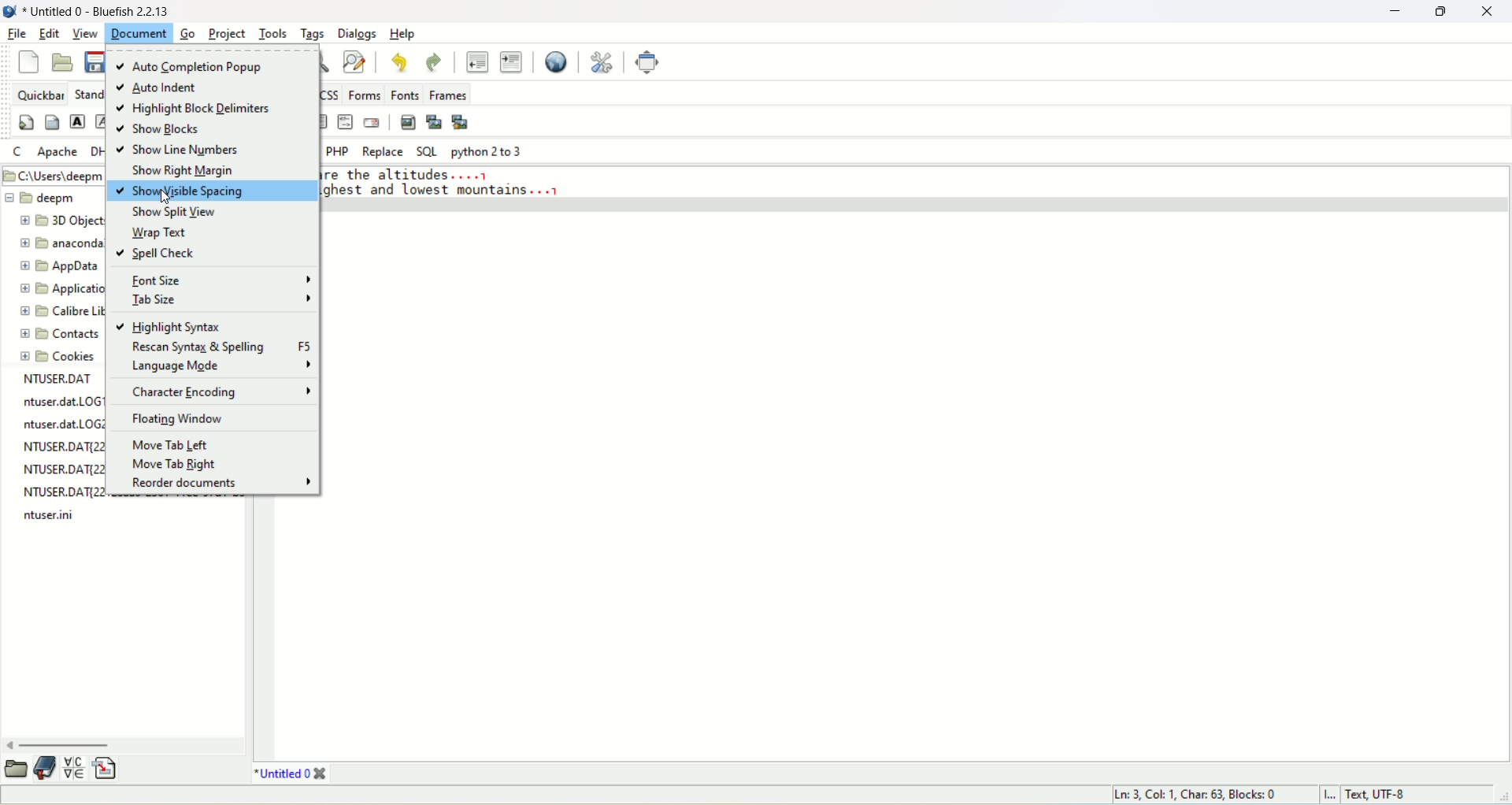  I want to click on dialogs, so click(354, 34).